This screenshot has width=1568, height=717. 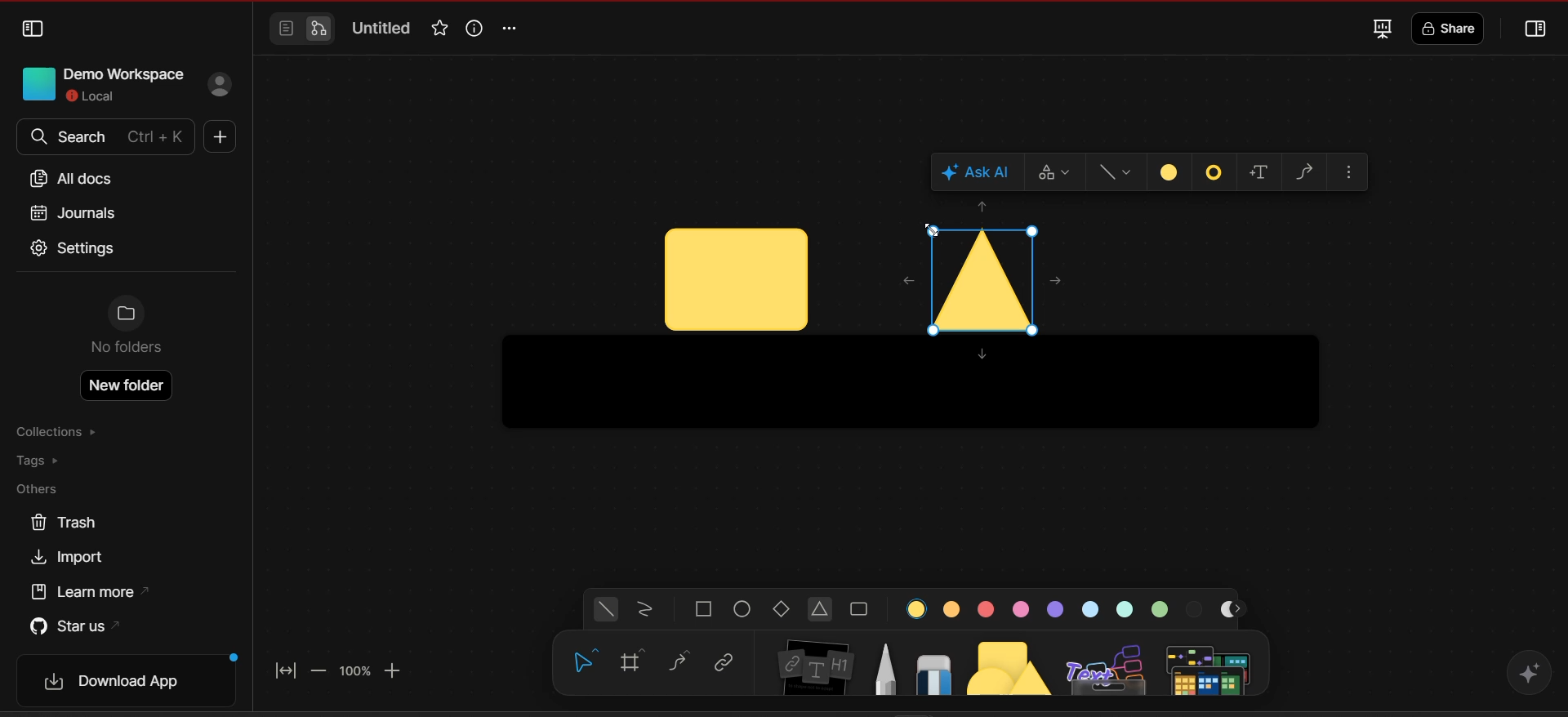 I want to click on color 5, so click(x=1056, y=608).